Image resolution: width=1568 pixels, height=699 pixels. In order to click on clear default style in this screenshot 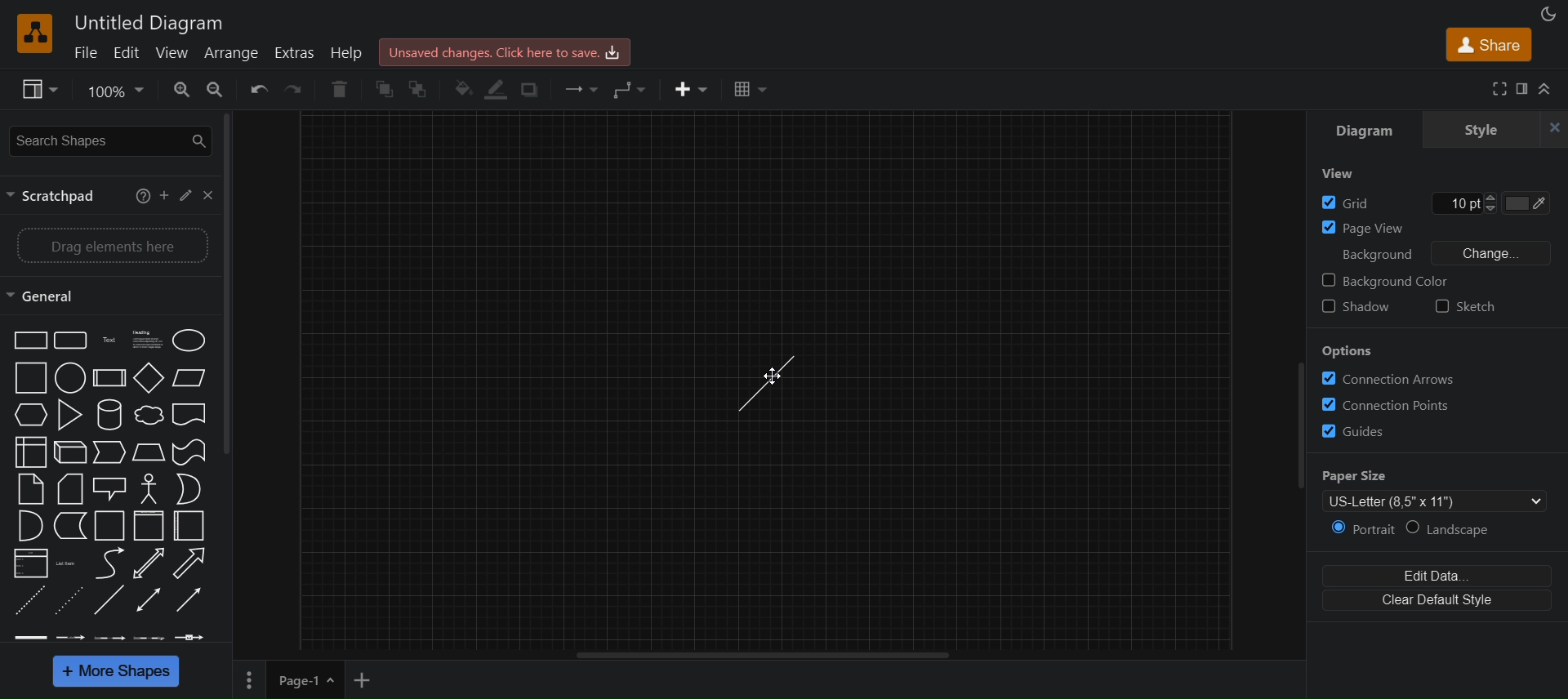, I will do `click(1432, 601)`.